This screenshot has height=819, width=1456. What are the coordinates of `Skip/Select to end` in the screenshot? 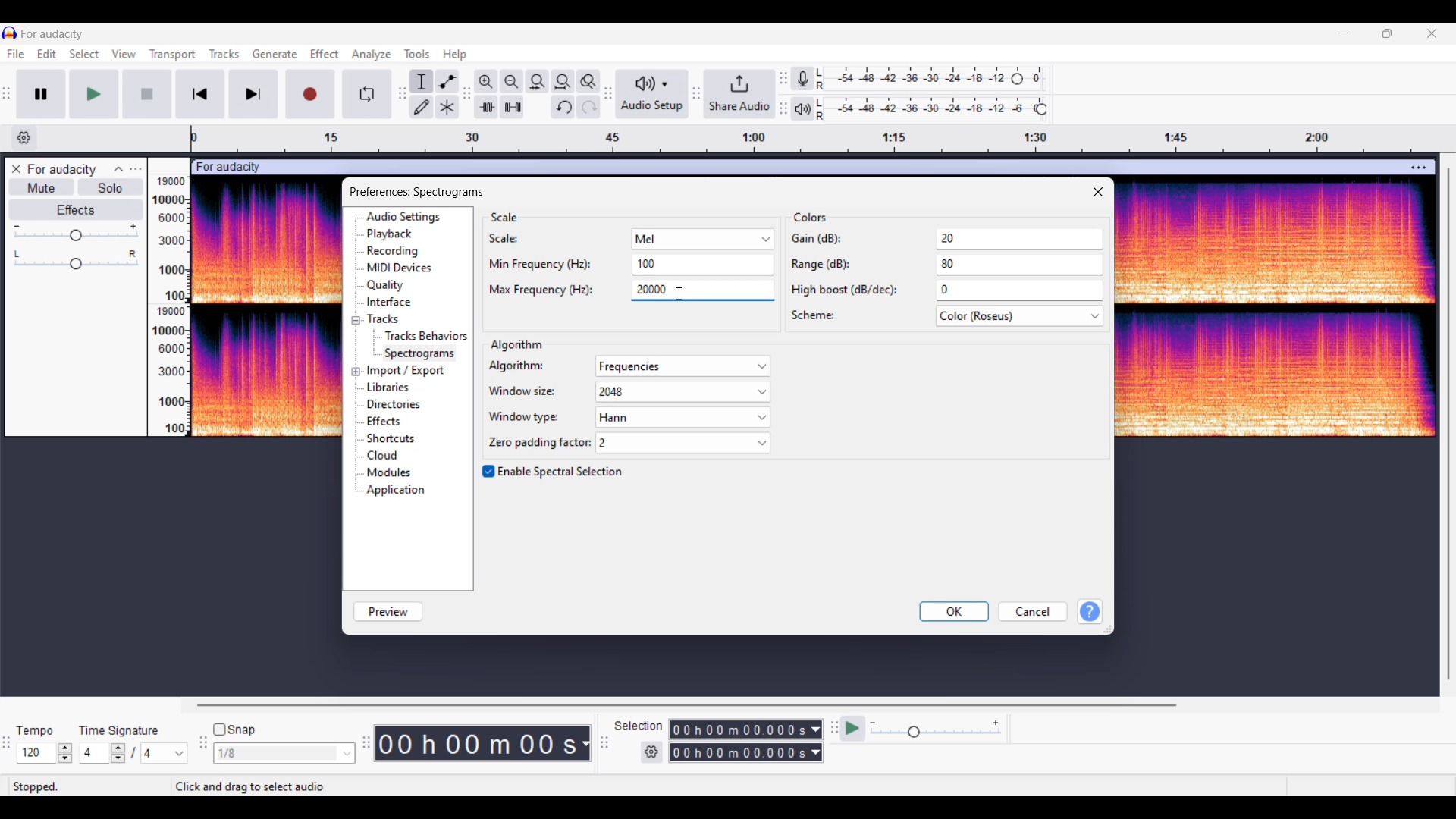 It's located at (253, 94).